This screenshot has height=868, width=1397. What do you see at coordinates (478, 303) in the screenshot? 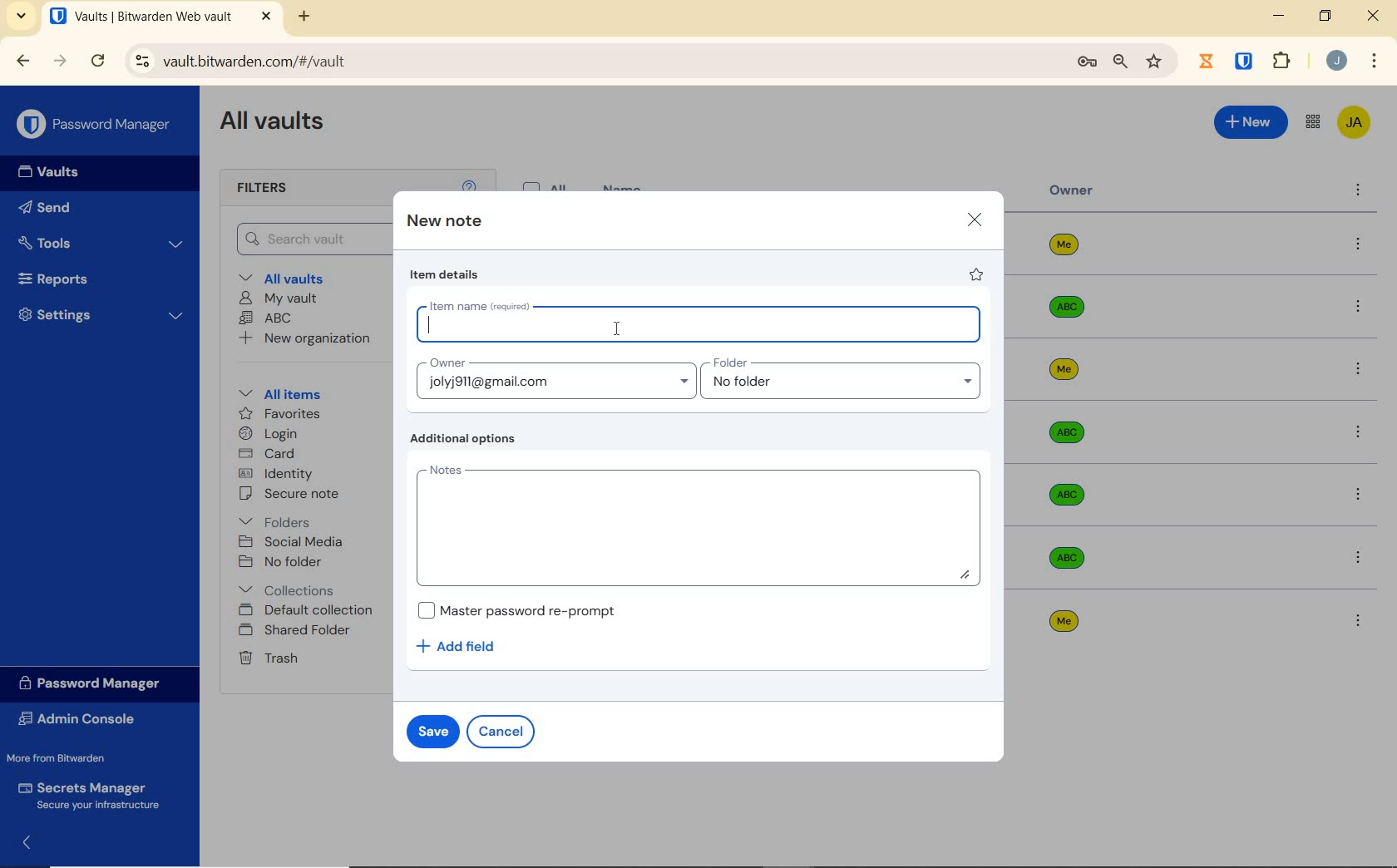
I see `Item name (required)` at bounding box center [478, 303].